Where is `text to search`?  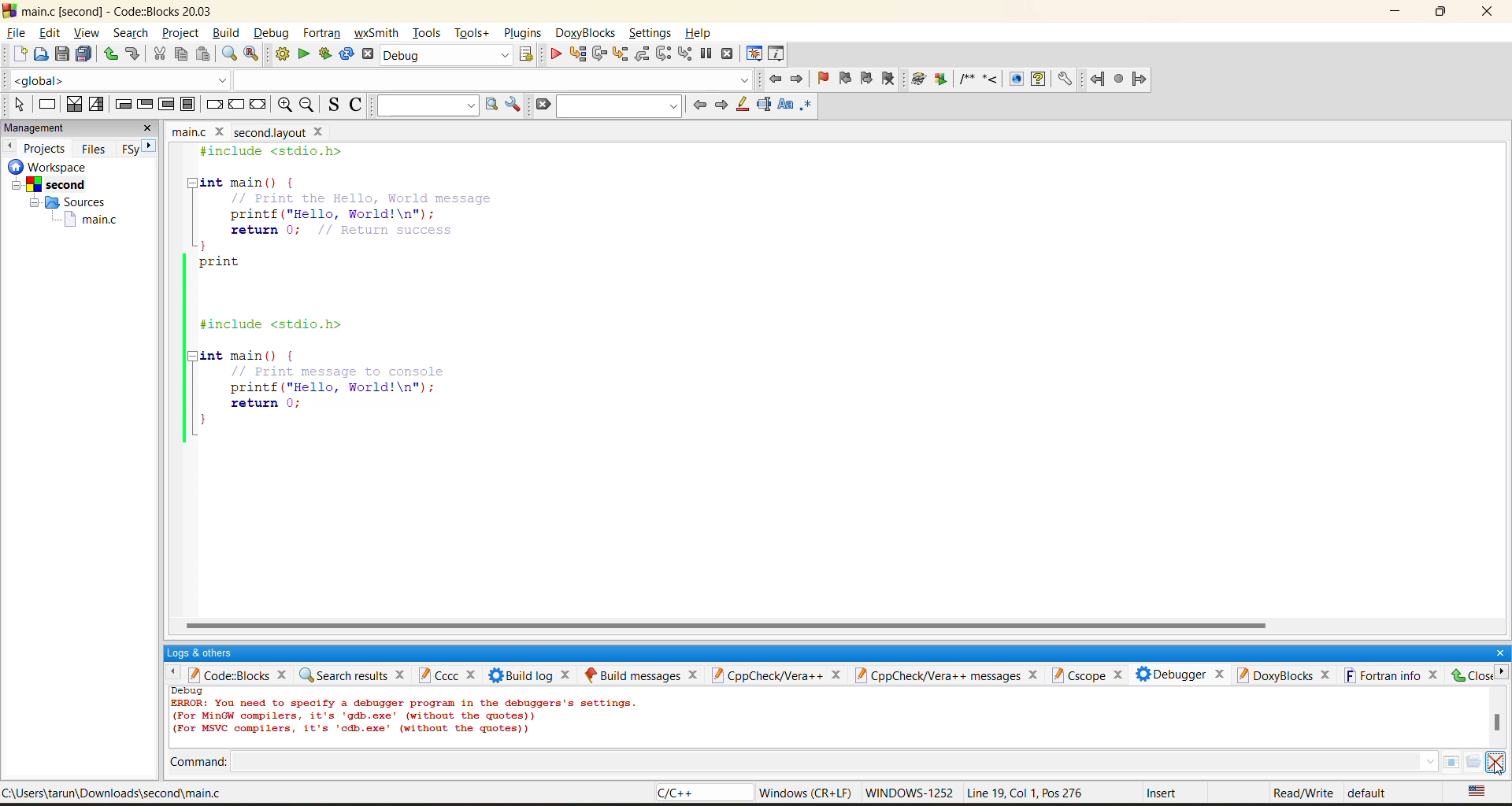
text to search is located at coordinates (426, 105).